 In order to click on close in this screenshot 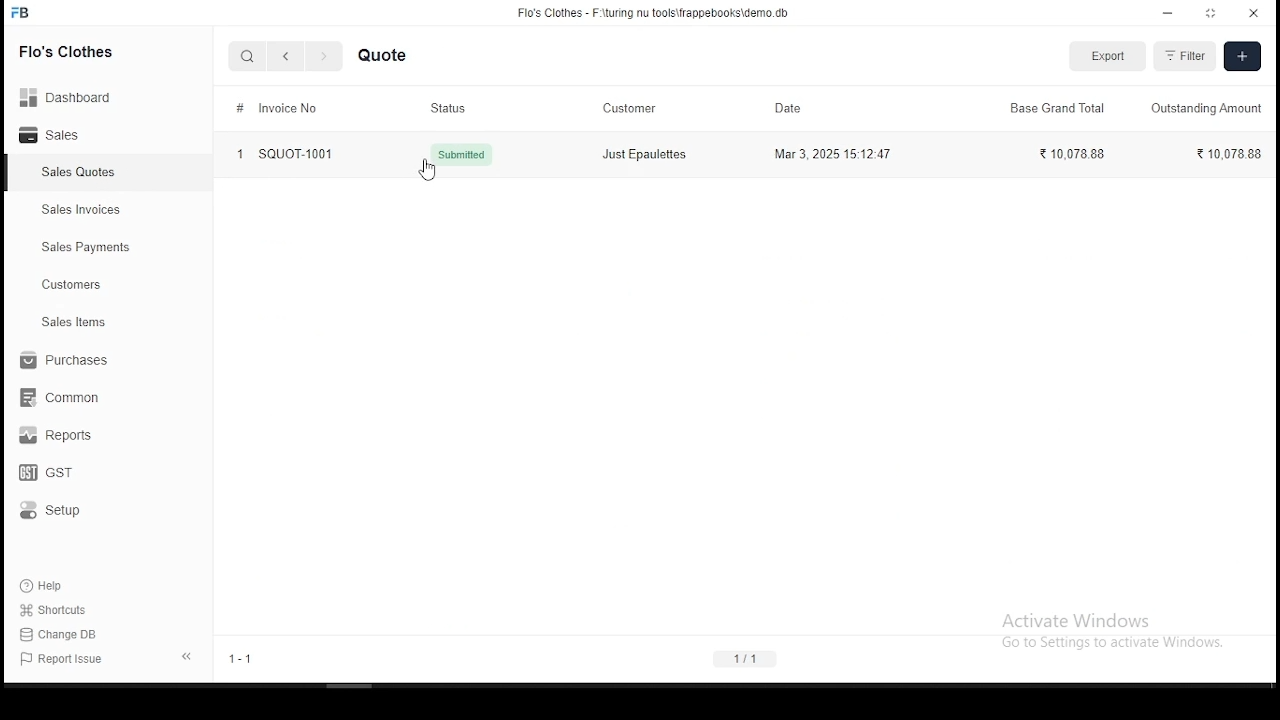, I will do `click(1254, 12)`.